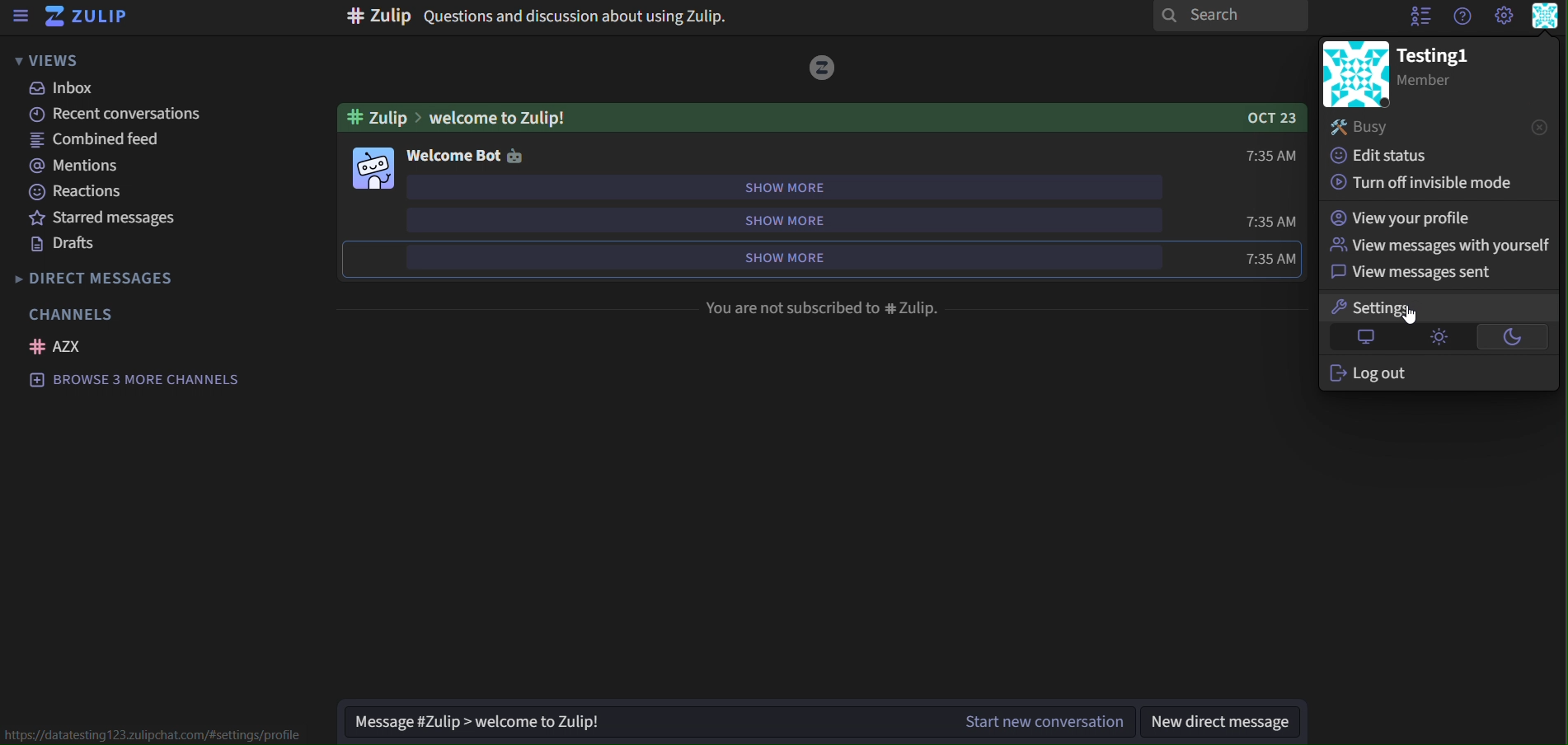 This screenshot has height=745, width=1568. What do you see at coordinates (1032, 722) in the screenshot?
I see `start new conversation` at bounding box center [1032, 722].